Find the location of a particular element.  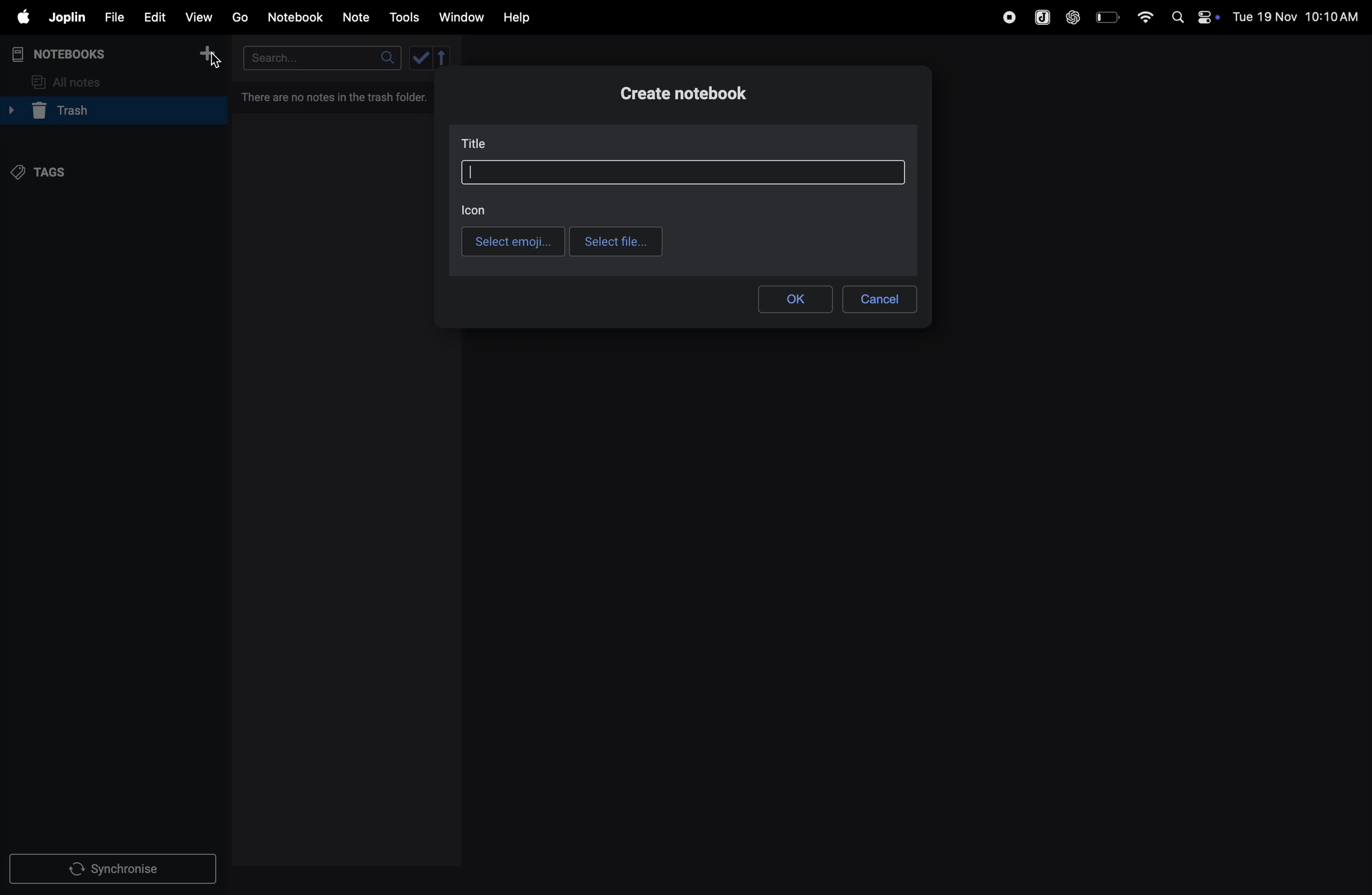

title is located at coordinates (476, 142).